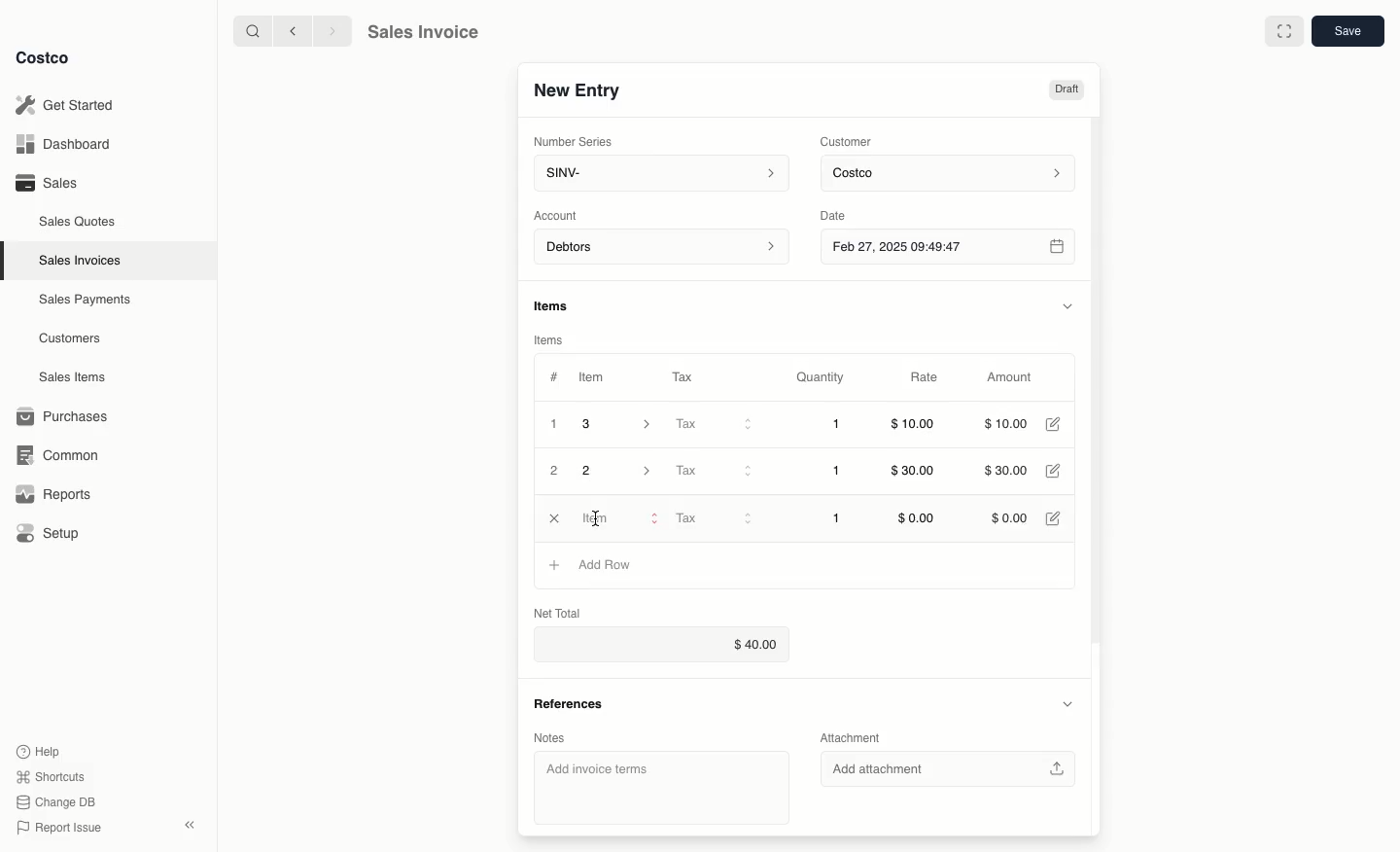 This screenshot has width=1400, height=852. Describe the element at coordinates (1068, 705) in the screenshot. I see `Hide` at that location.